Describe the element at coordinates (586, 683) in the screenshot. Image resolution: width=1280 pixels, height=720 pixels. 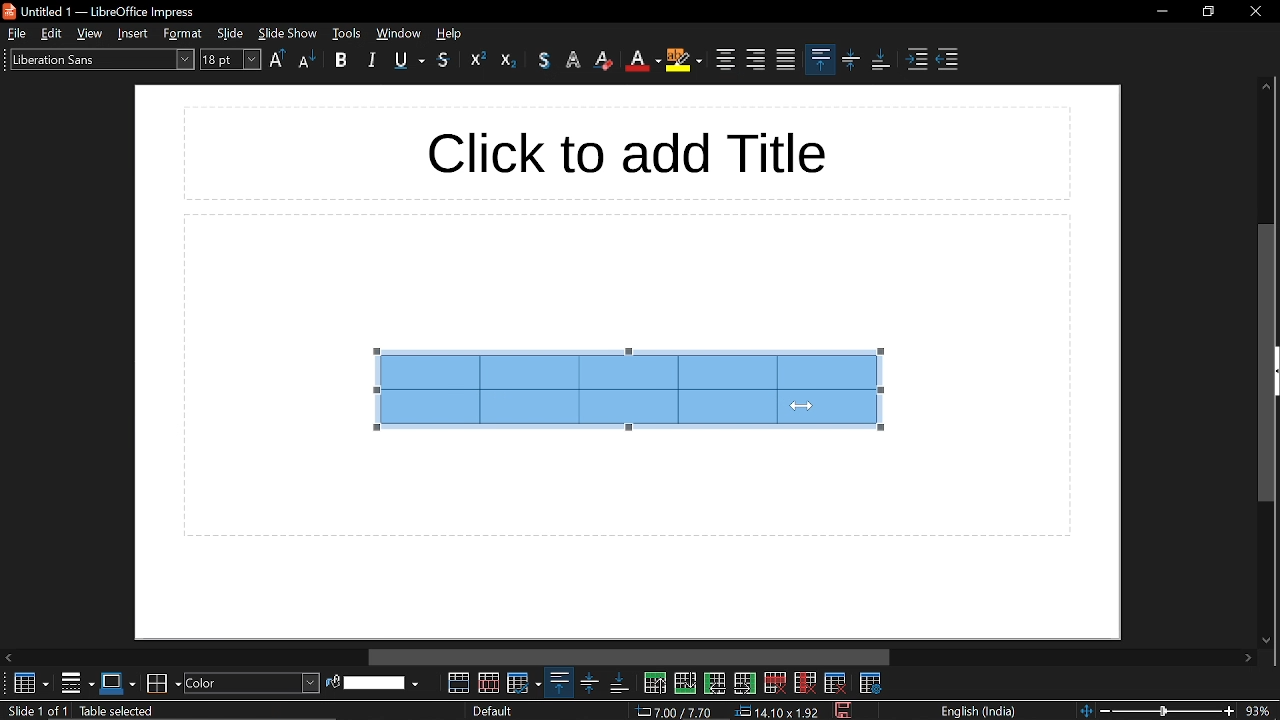
I see `center vertically` at that location.